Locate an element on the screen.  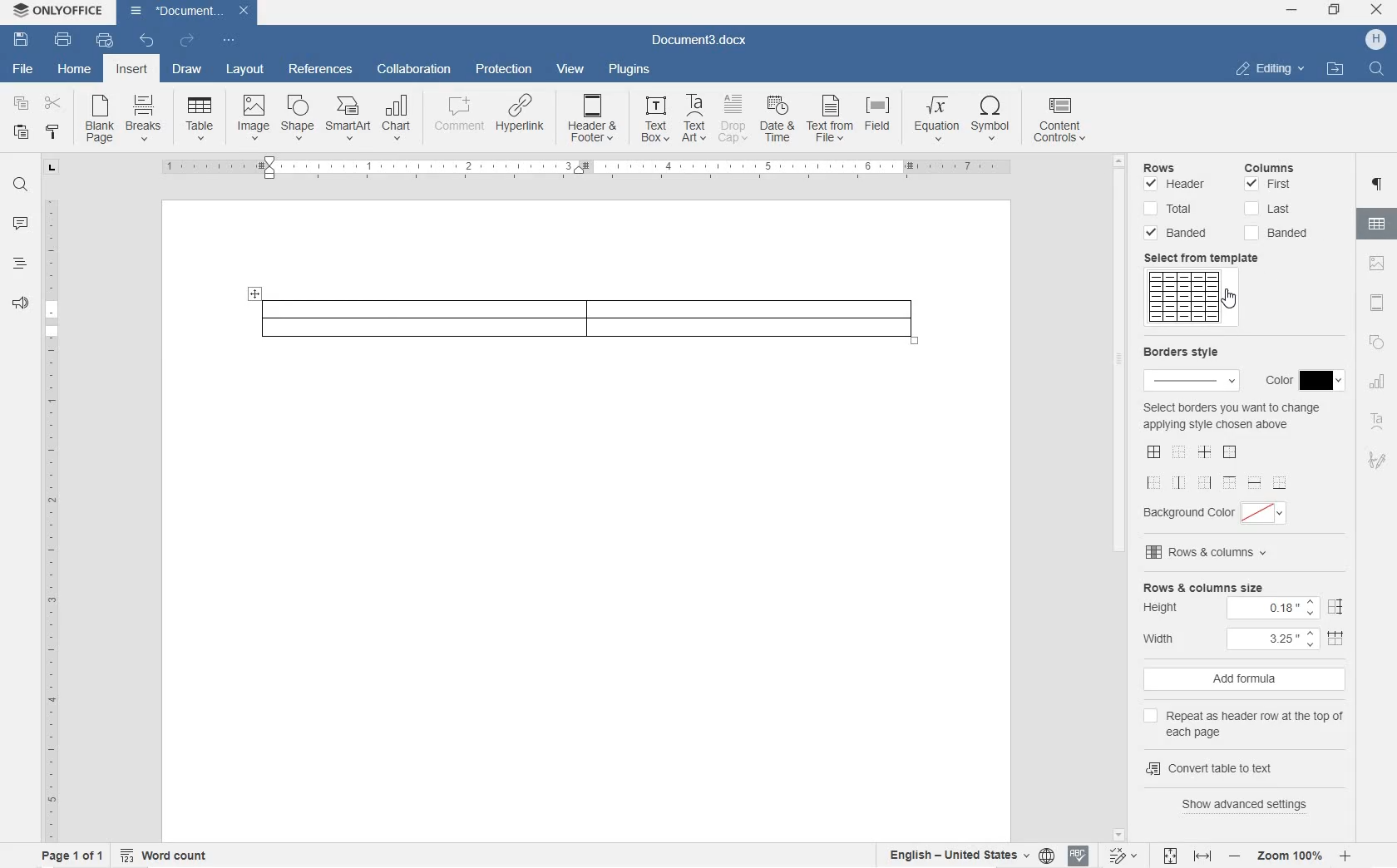
Document3.docx is located at coordinates (190, 11).